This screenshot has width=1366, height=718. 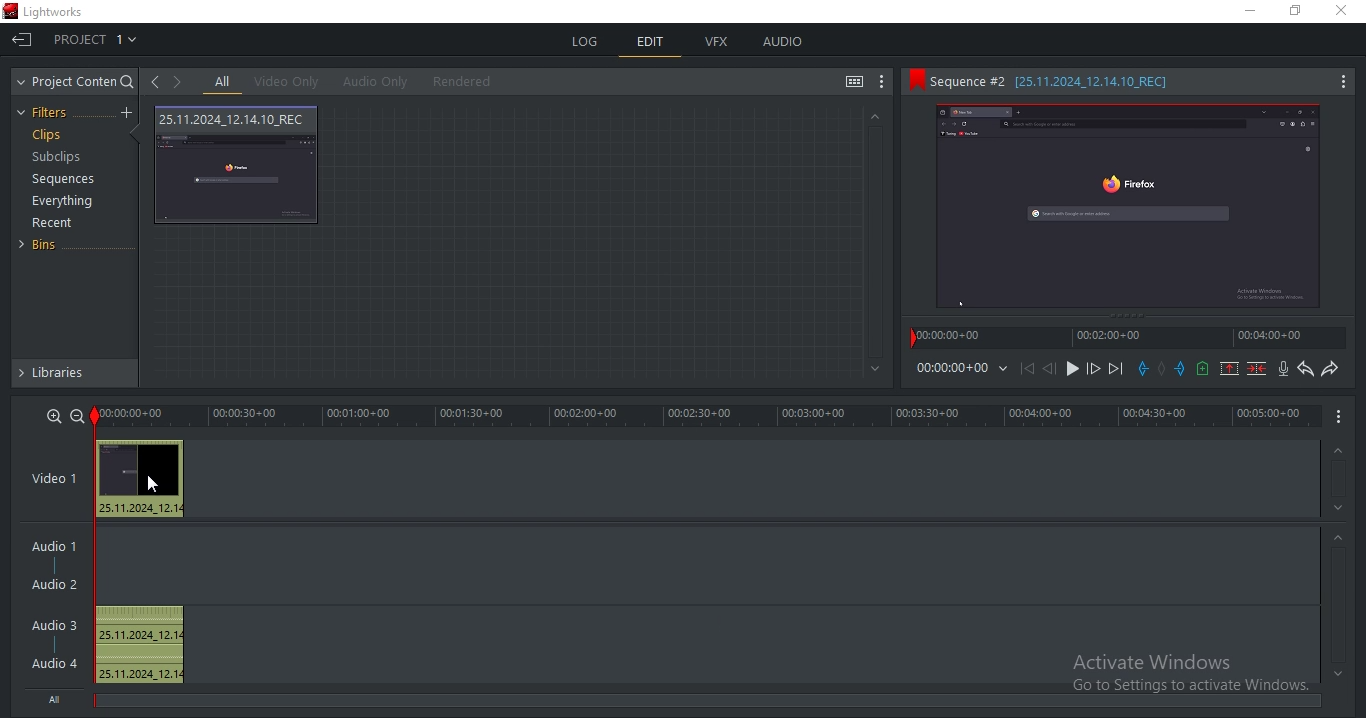 I want to click on clips, so click(x=50, y=136).